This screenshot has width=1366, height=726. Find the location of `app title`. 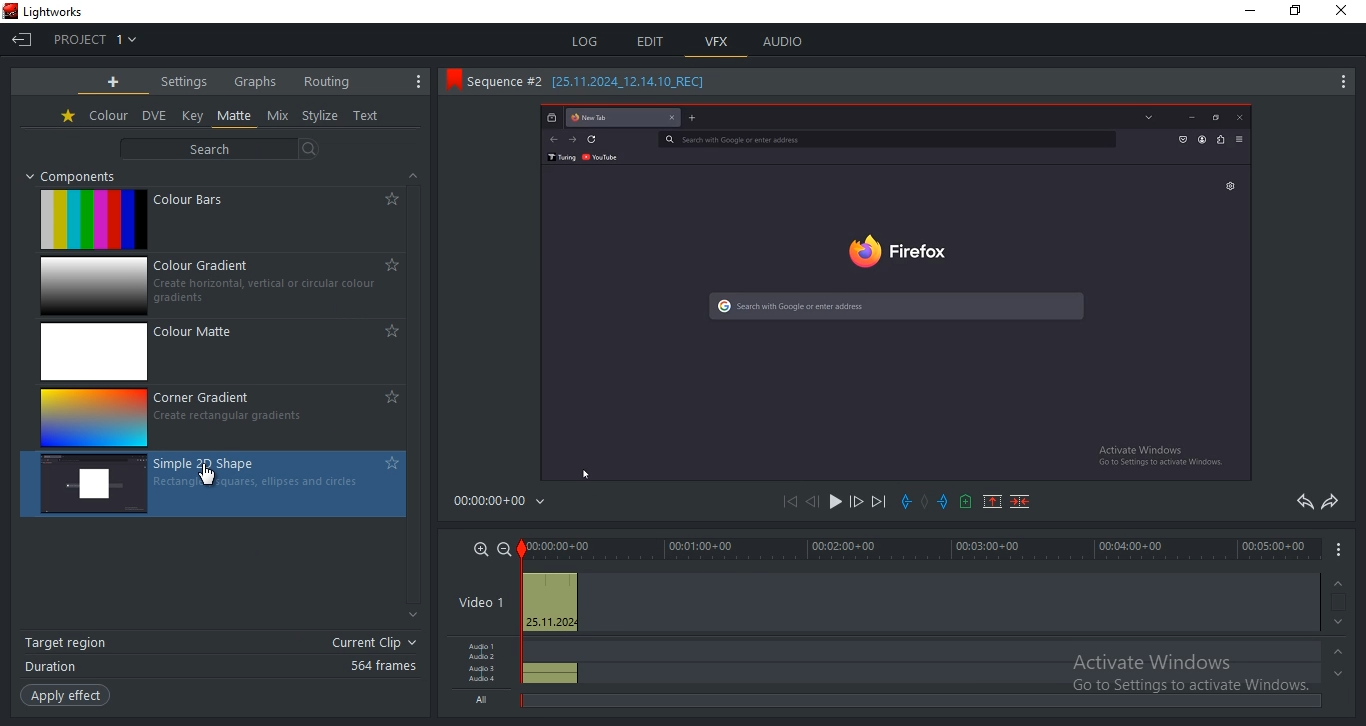

app title is located at coordinates (51, 12).